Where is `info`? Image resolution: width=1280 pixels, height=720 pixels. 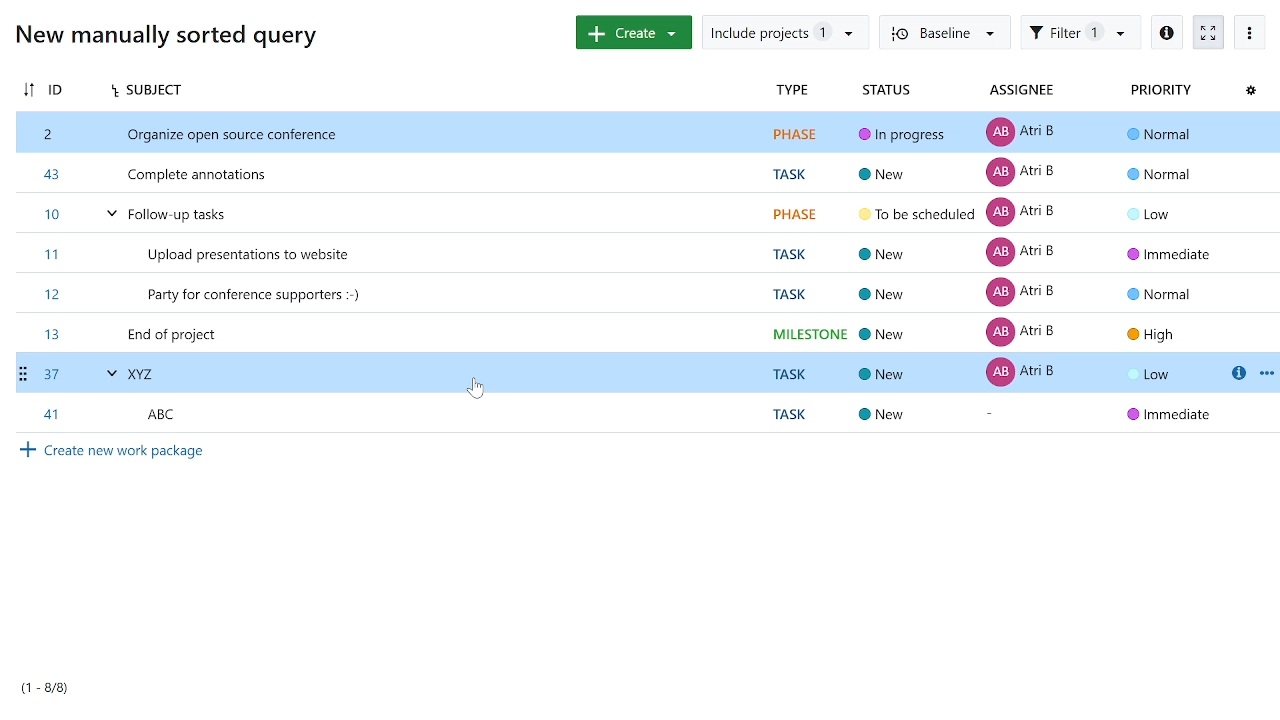 info is located at coordinates (1165, 32).